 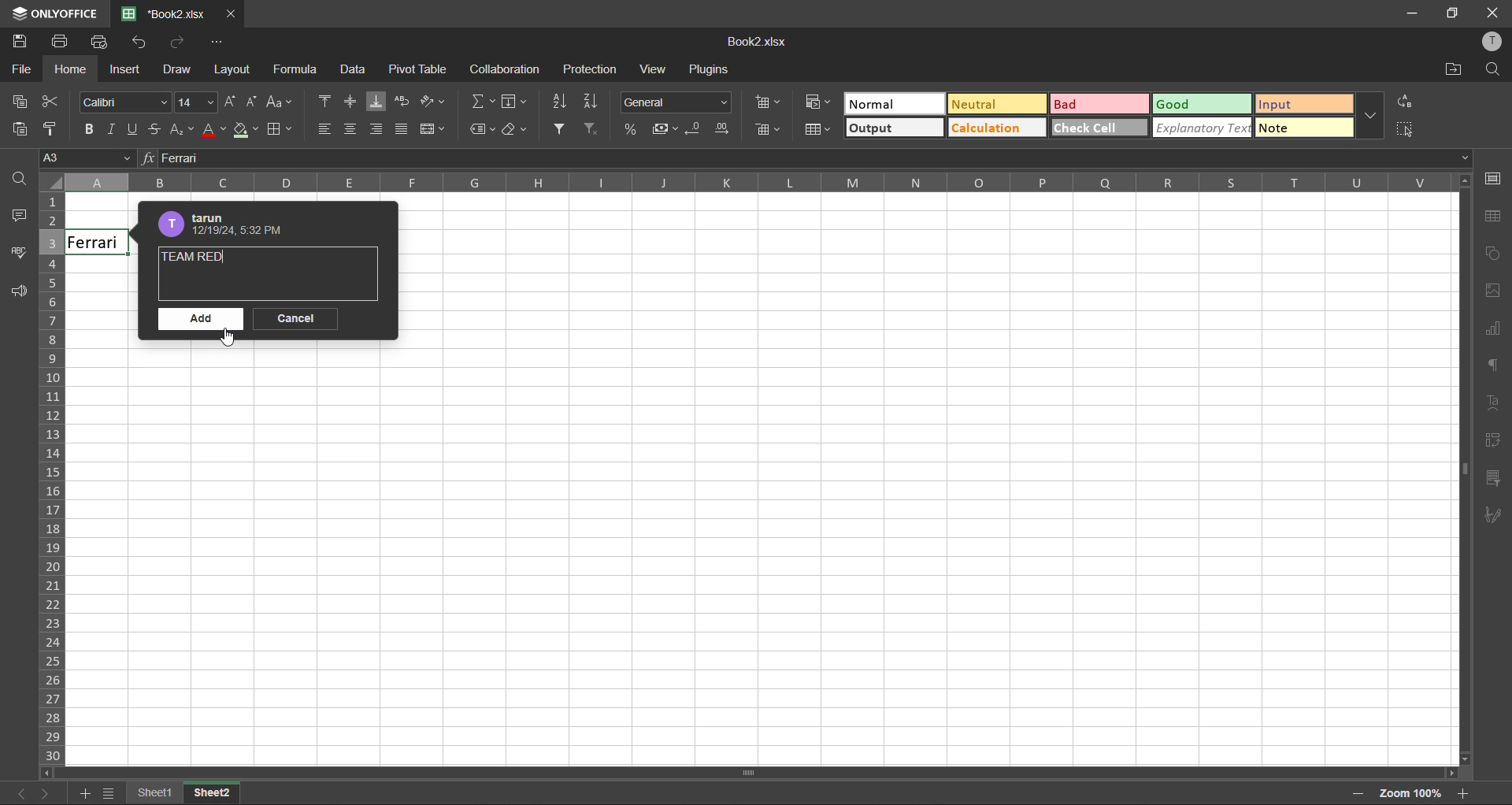 What do you see at coordinates (298, 72) in the screenshot?
I see `formula` at bounding box center [298, 72].